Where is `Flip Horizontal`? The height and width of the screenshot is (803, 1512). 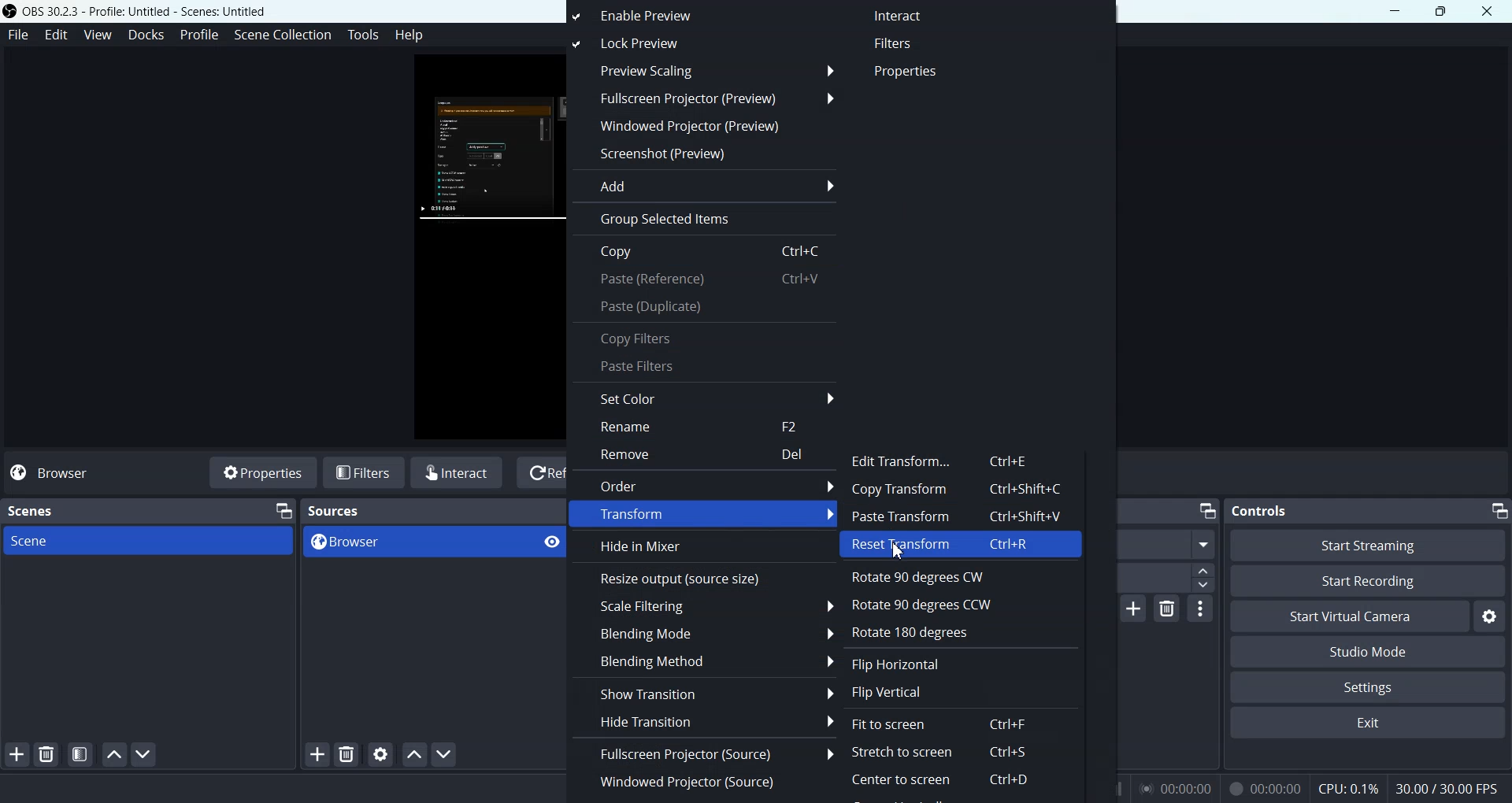 Flip Horizontal is located at coordinates (905, 664).